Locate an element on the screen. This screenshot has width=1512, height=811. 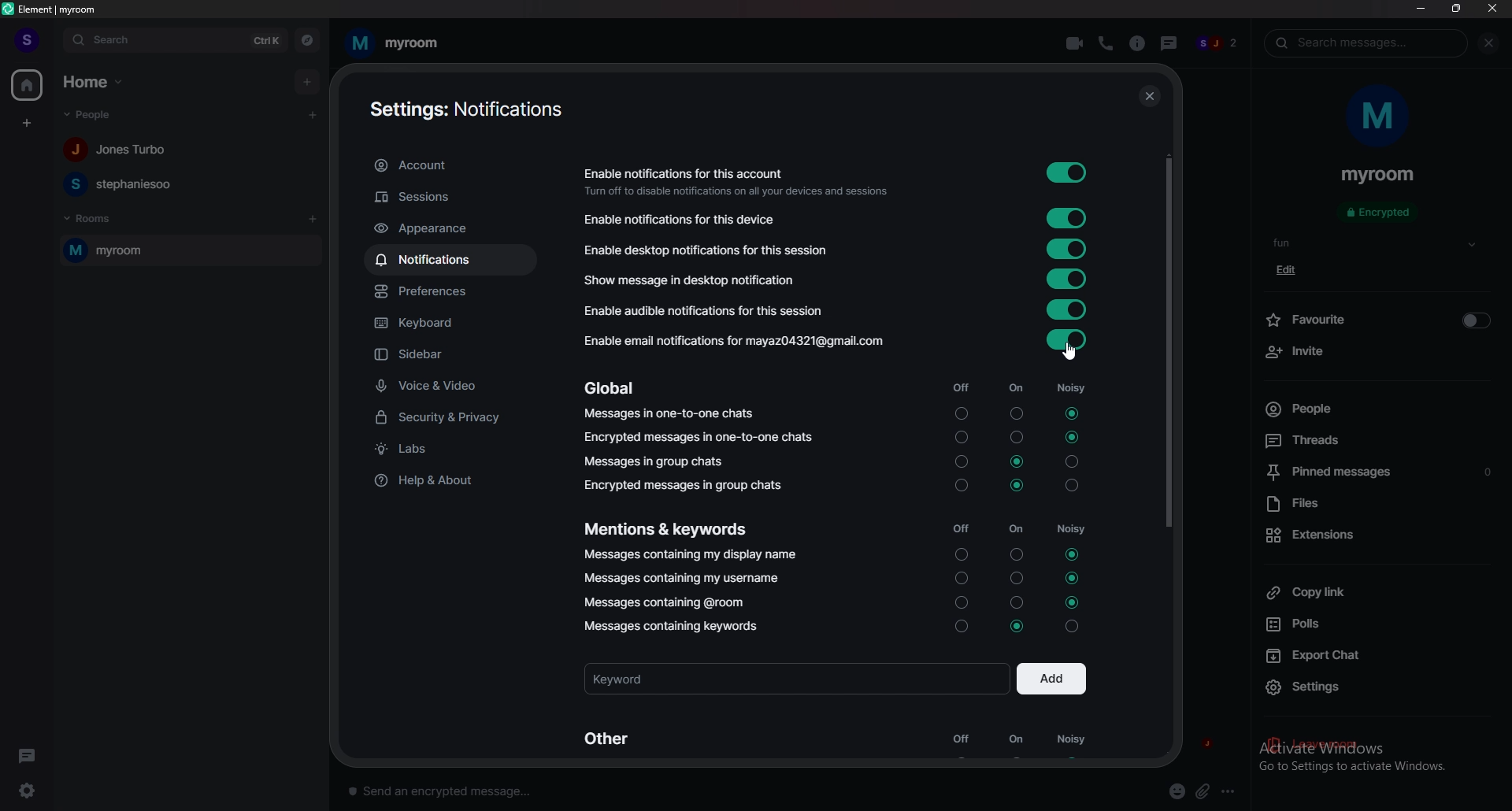
search bar is located at coordinates (176, 39).